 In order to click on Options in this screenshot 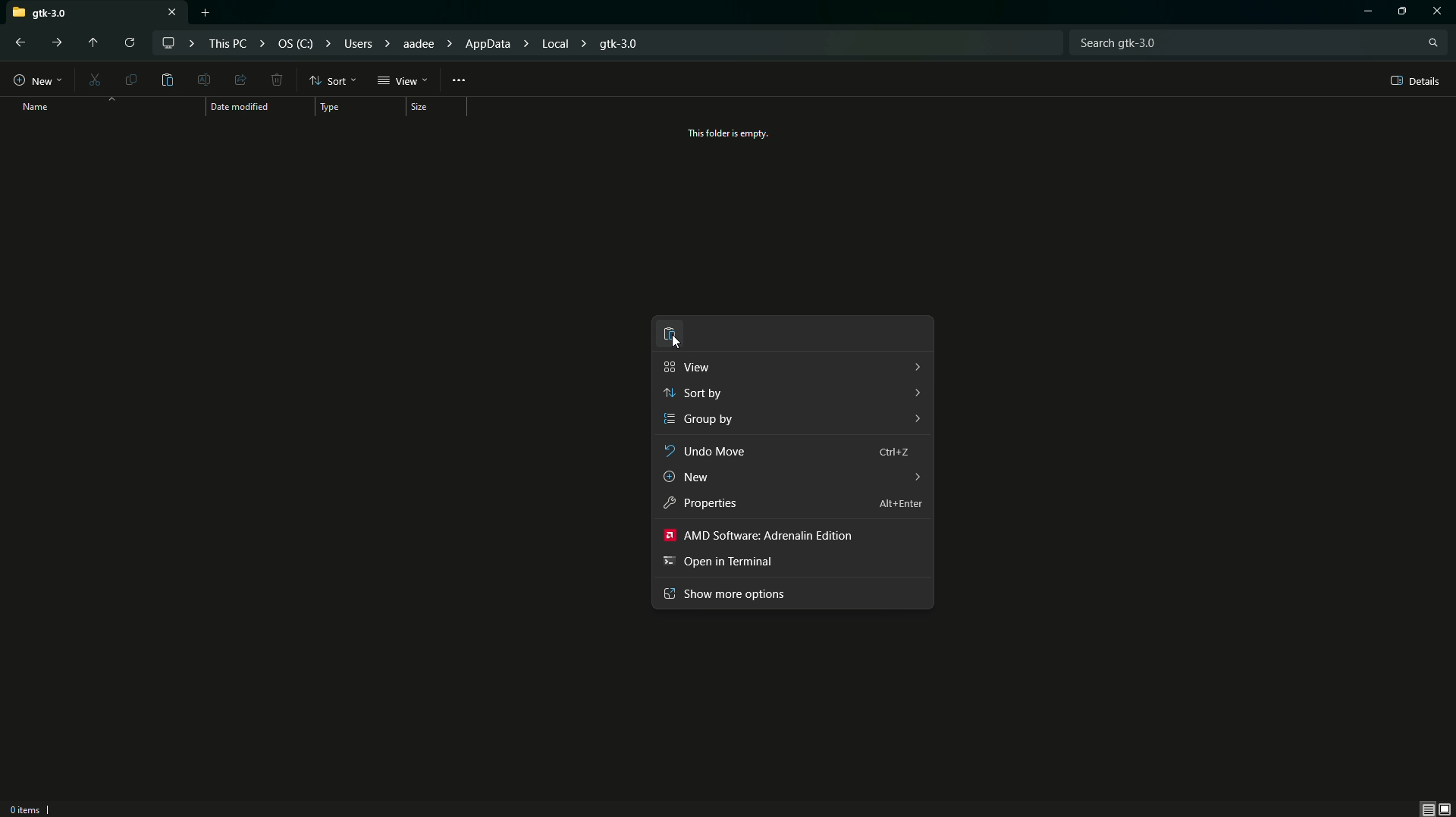, I will do `click(1404, 11)`.